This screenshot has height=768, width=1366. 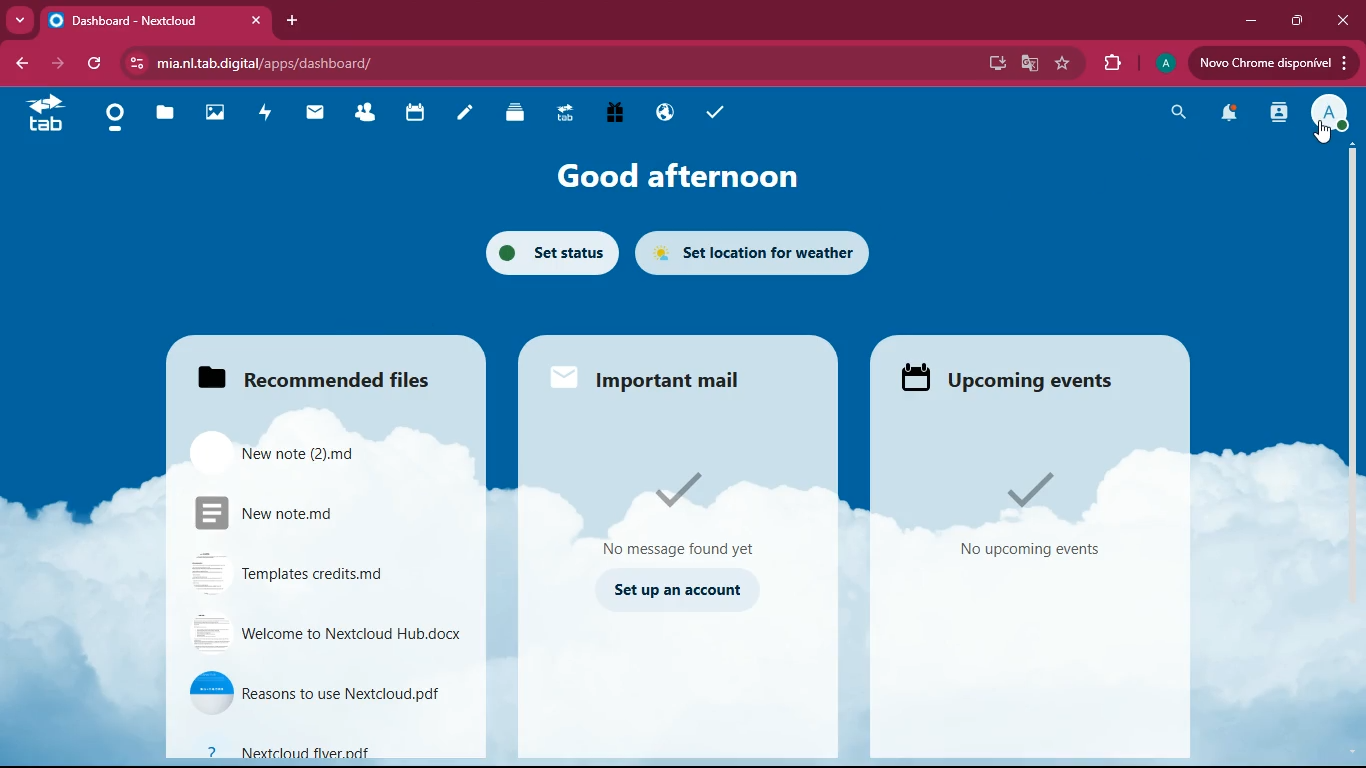 What do you see at coordinates (20, 65) in the screenshot?
I see `back` at bounding box center [20, 65].